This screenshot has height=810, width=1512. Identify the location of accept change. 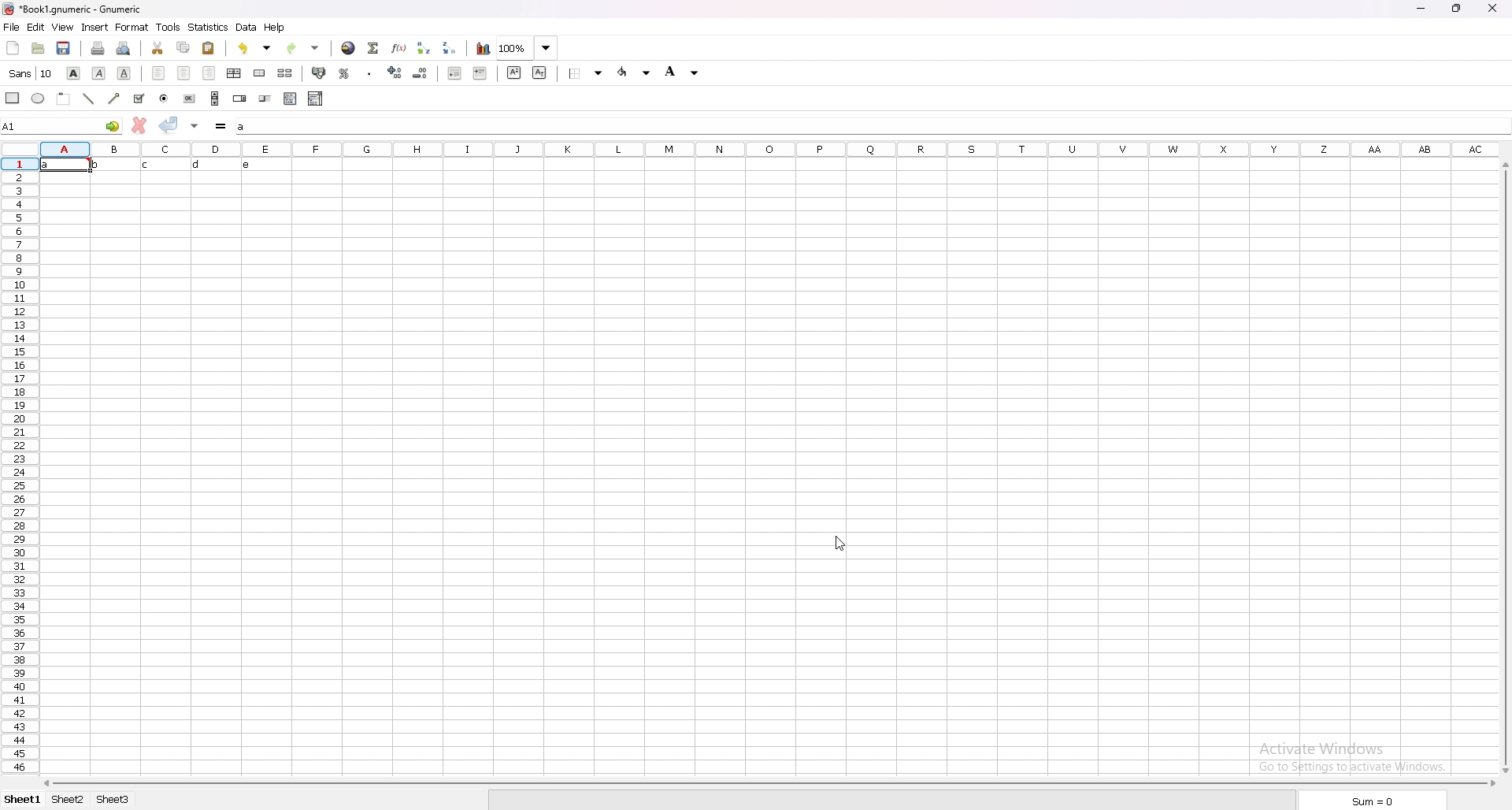
(169, 124).